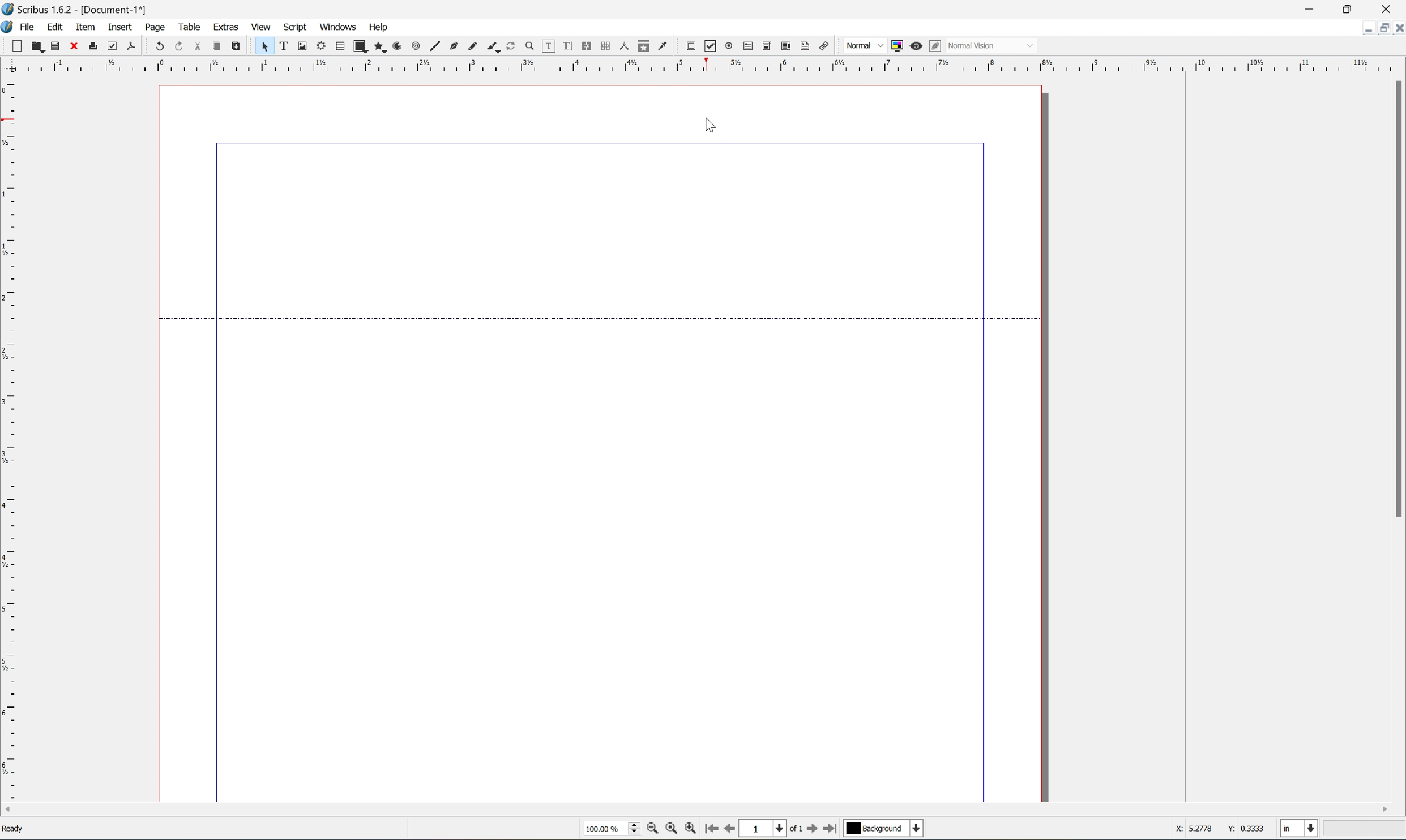 The height and width of the screenshot is (840, 1406). What do you see at coordinates (188, 23) in the screenshot?
I see `table` at bounding box center [188, 23].